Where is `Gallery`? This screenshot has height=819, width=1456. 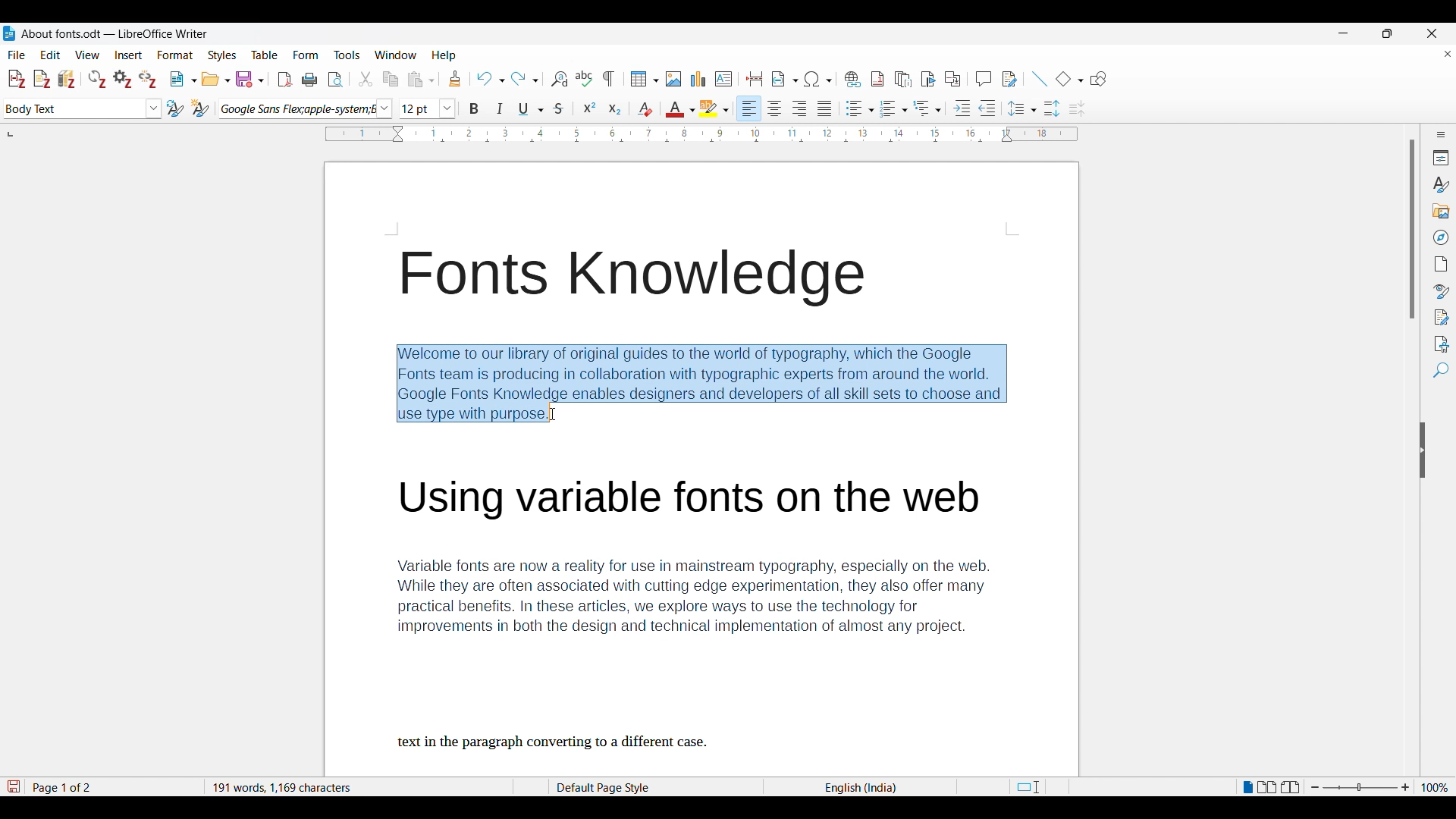 Gallery is located at coordinates (1442, 212).